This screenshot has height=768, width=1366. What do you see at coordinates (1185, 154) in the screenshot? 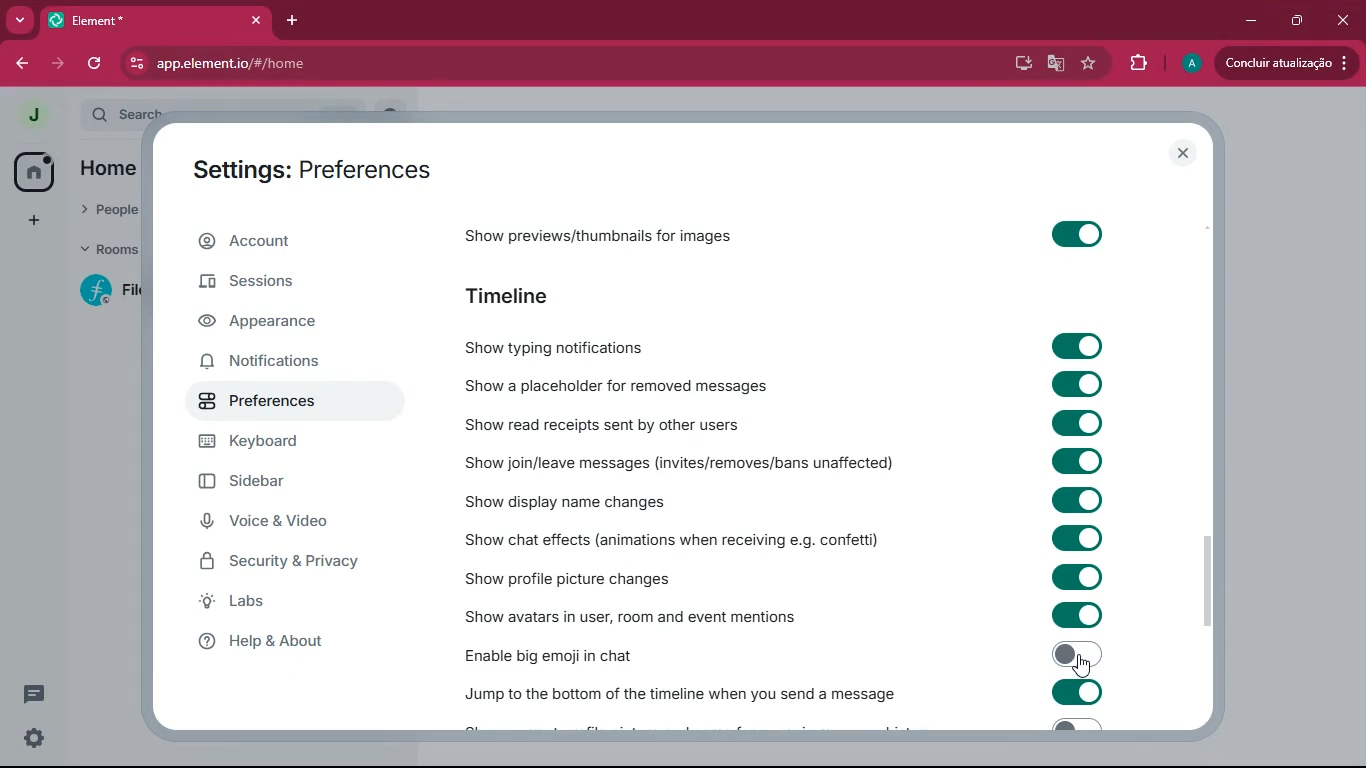
I see `close` at bounding box center [1185, 154].